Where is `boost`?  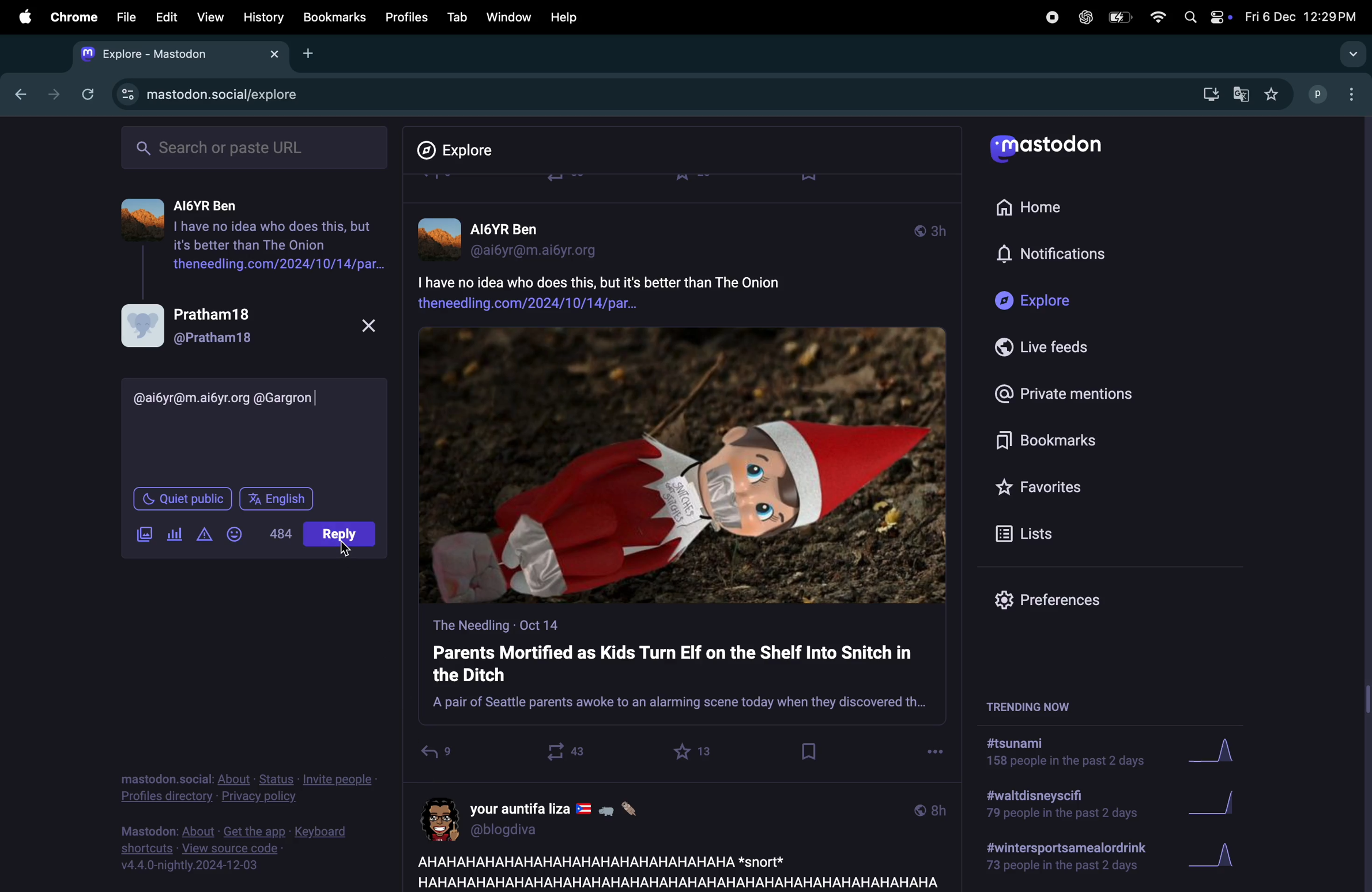 boost is located at coordinates (560, 751).